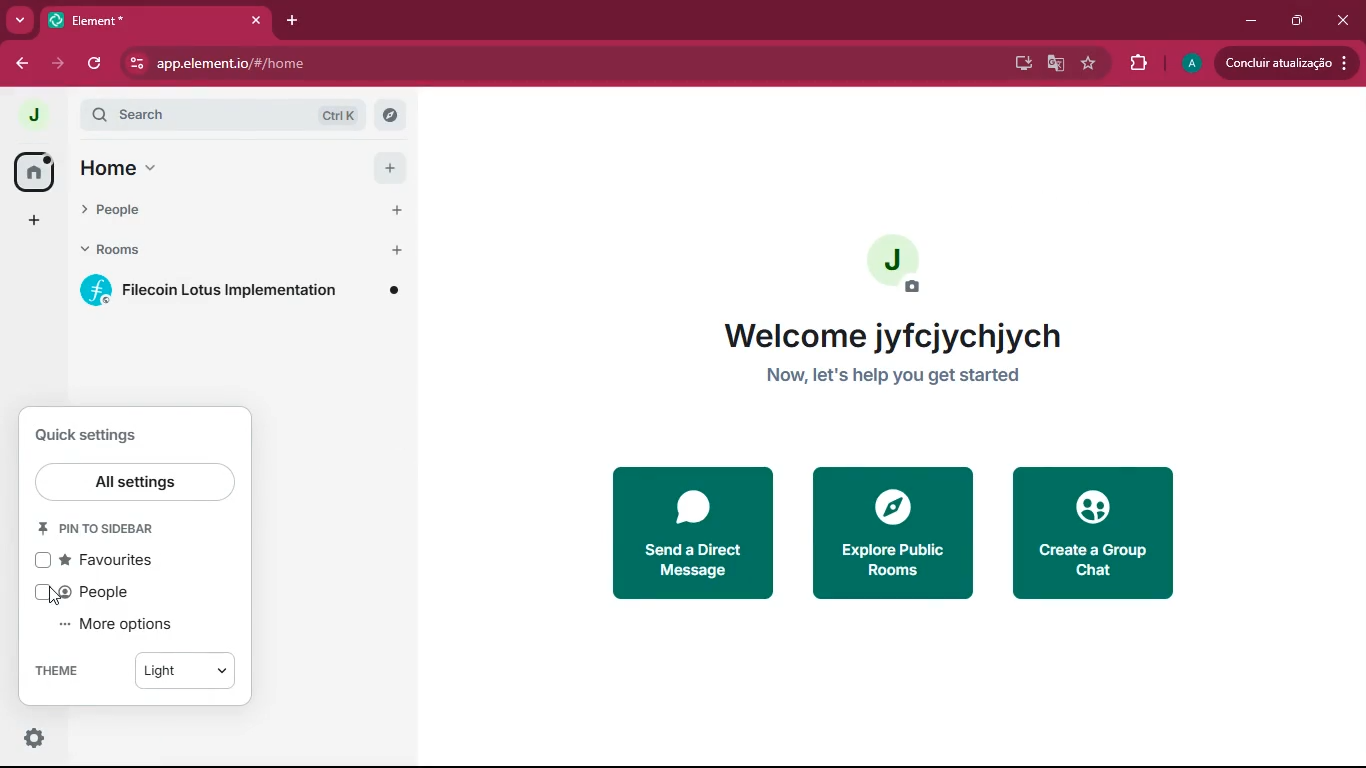  Describe the element at coordinates (140, 167) in the screenshot. I see `home` at that location.